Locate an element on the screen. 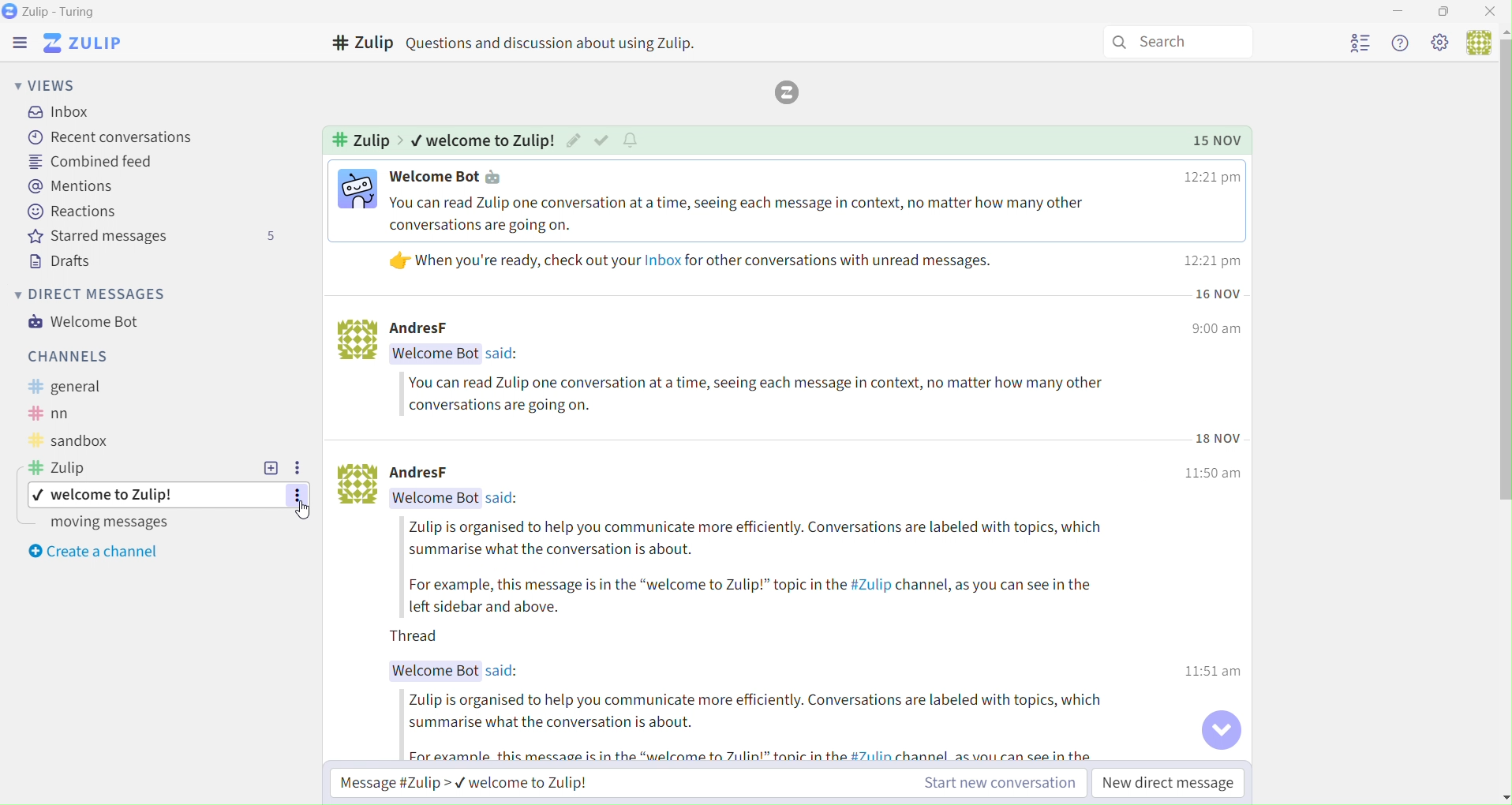  Drafts is located at coordinates (51, 260).